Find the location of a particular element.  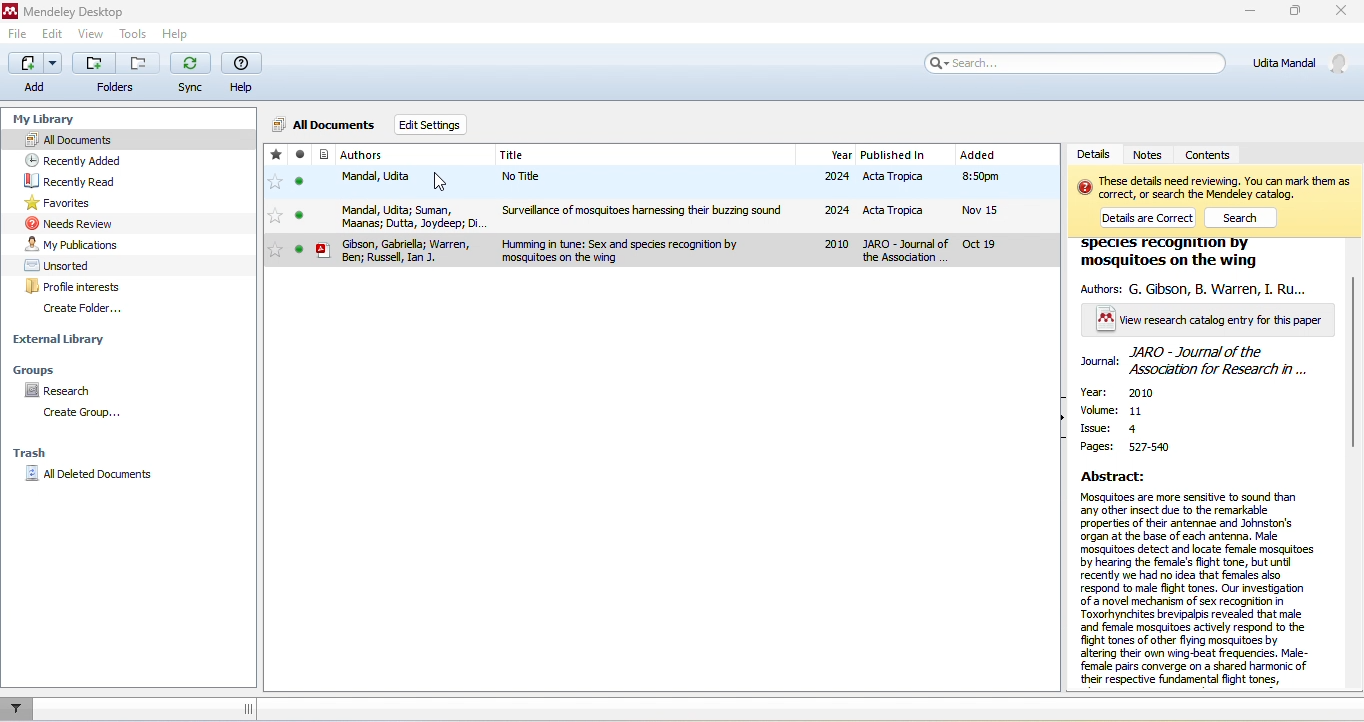

human in tune sex and species recognition by mosquitoes on the wing is located at coordinates (650, 250).